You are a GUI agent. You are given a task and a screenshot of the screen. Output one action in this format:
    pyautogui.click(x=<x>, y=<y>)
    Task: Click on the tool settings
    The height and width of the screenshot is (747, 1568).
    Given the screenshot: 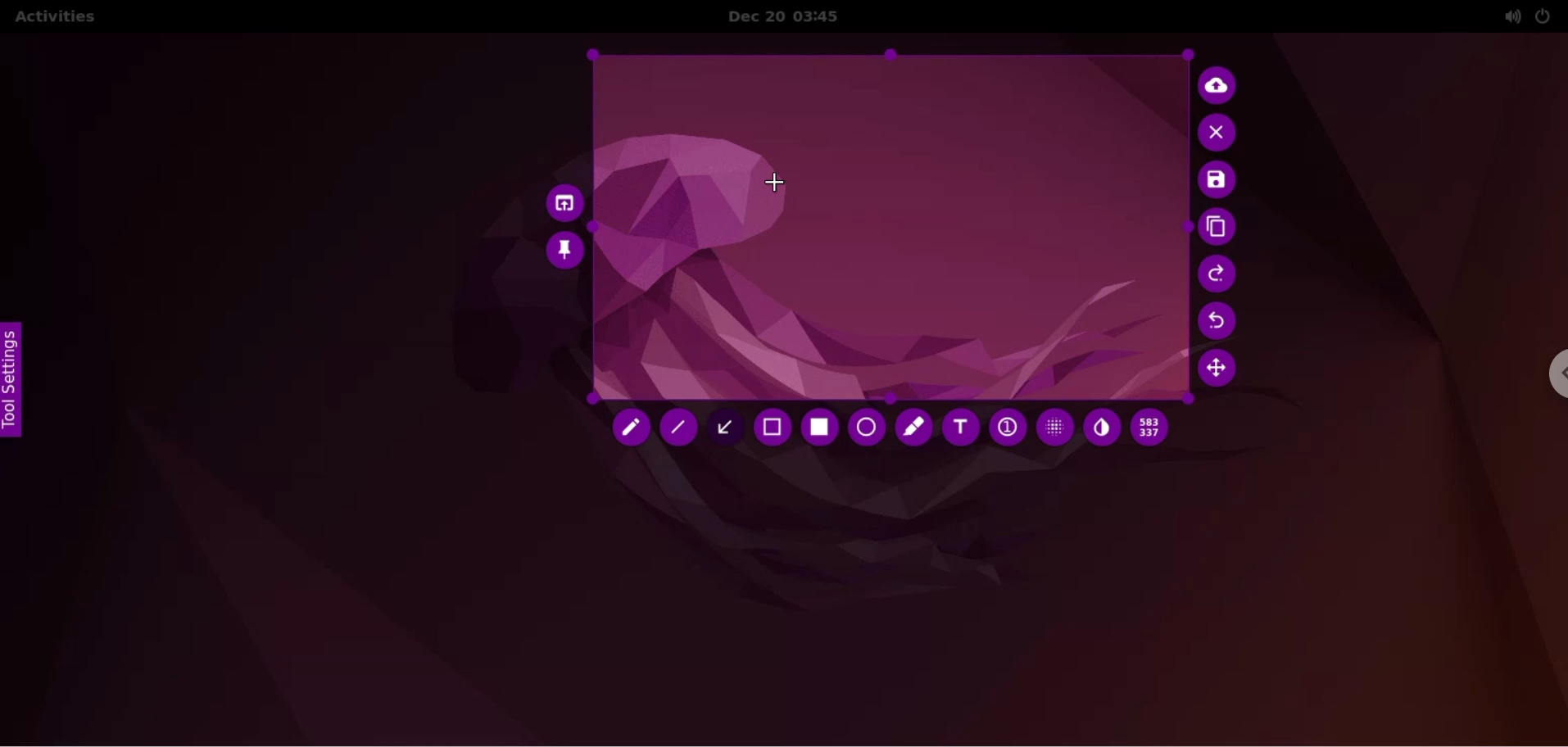 What is the action you would take?
    pyautogui.click(x=18, y=380)
    